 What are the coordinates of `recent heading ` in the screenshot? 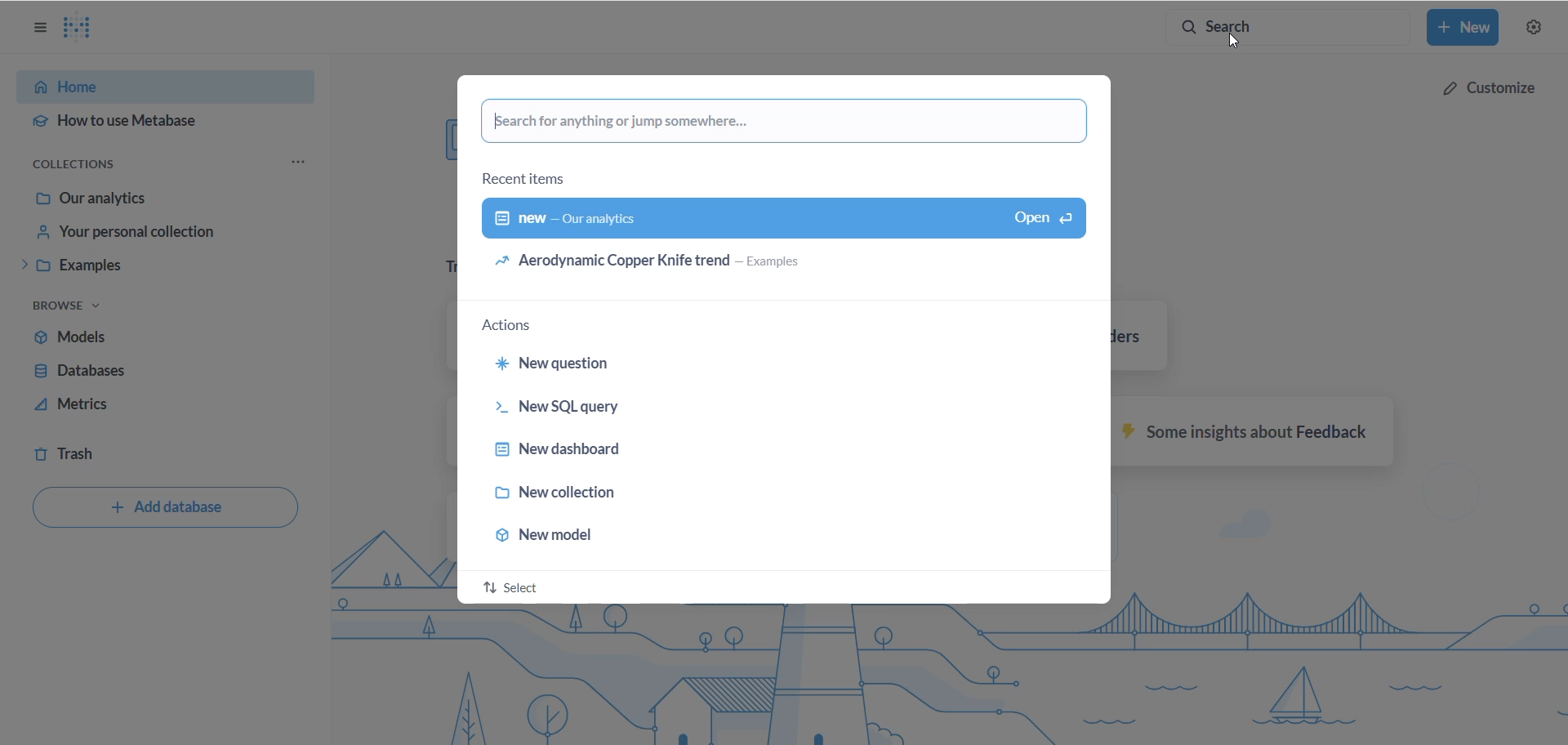 It's located at (526, 180).